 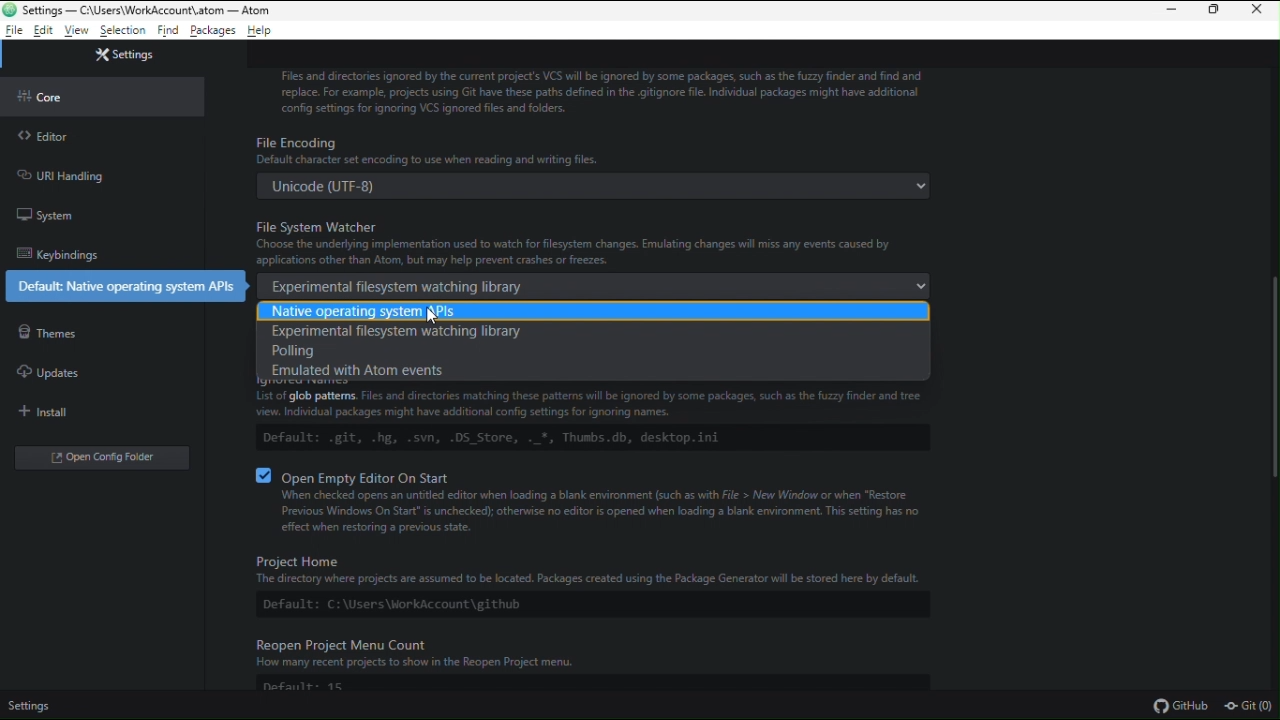 What do you see at coordinates (14, 31) in the screenshot?
I see `File` at bounding box center [14, 31].